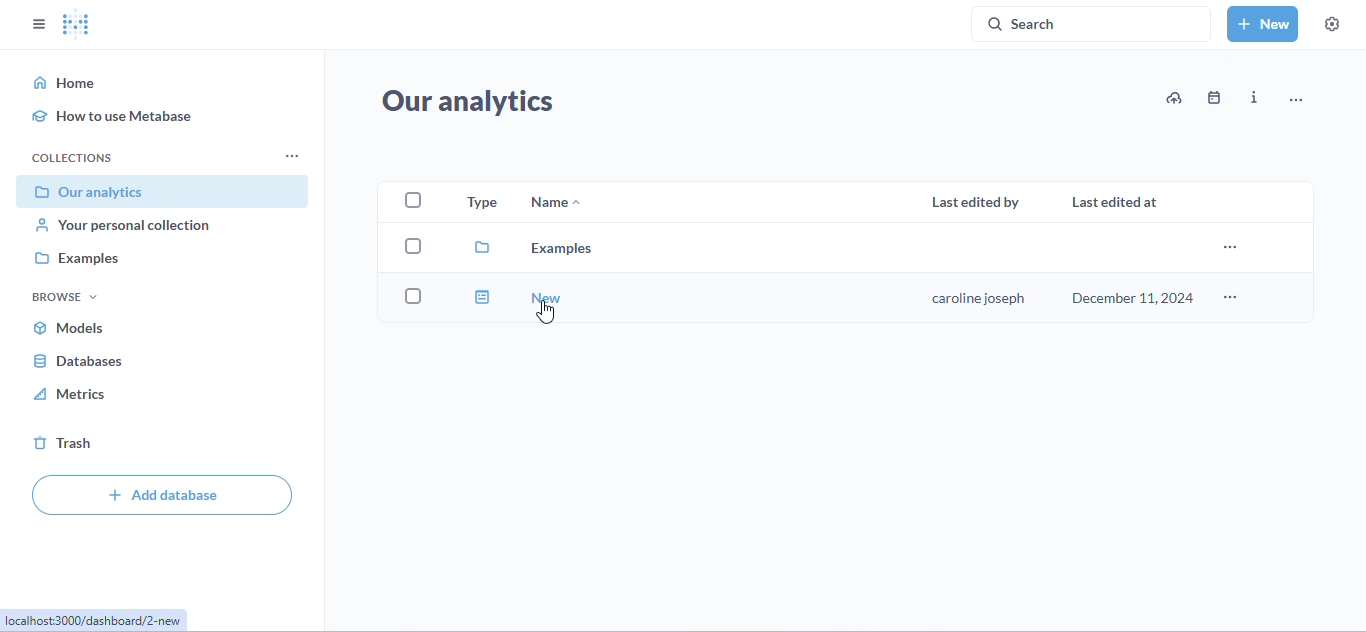 Image resolution: width=1366 pixels, height=632 pixels. I want to click on select, so click(413, 200).